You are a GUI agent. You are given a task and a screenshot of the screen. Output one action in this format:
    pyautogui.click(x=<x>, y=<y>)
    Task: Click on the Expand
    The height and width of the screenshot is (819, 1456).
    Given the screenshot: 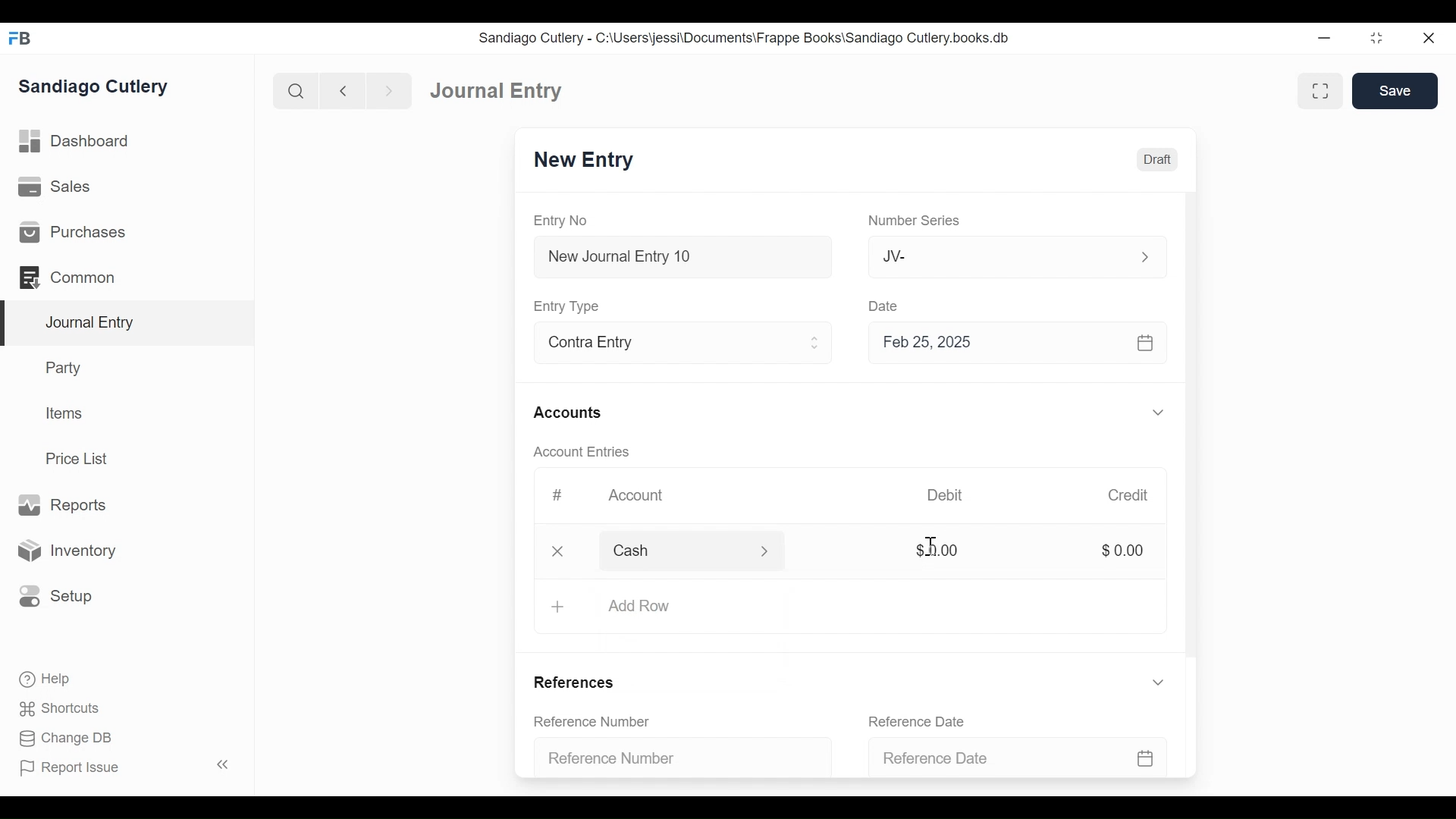 What is the action you would take?
    pyautogui.click(x=1158, y=413)
    